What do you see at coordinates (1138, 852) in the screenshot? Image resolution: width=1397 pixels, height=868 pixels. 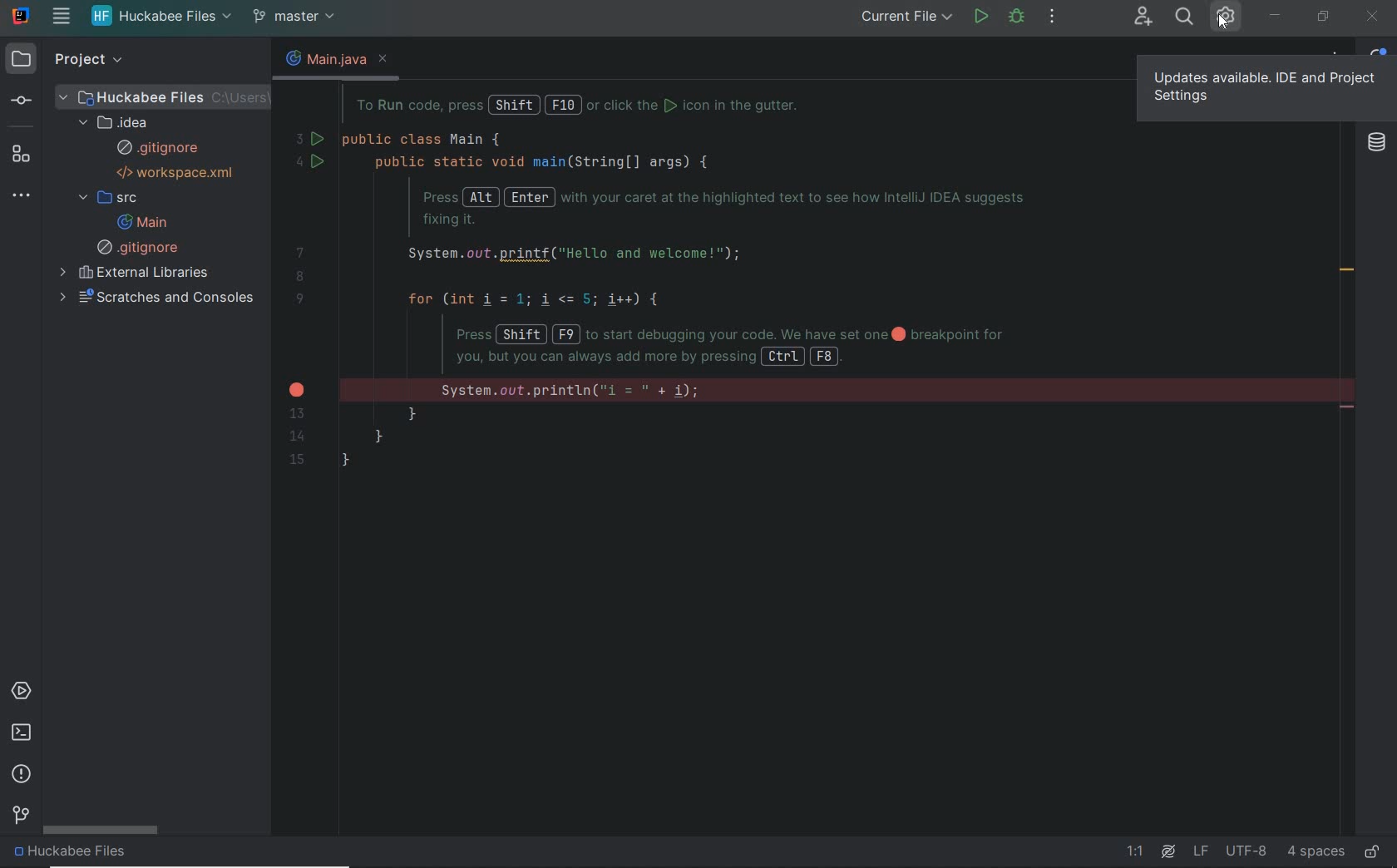 I see `go to line` at bounding box center [1138, 852].